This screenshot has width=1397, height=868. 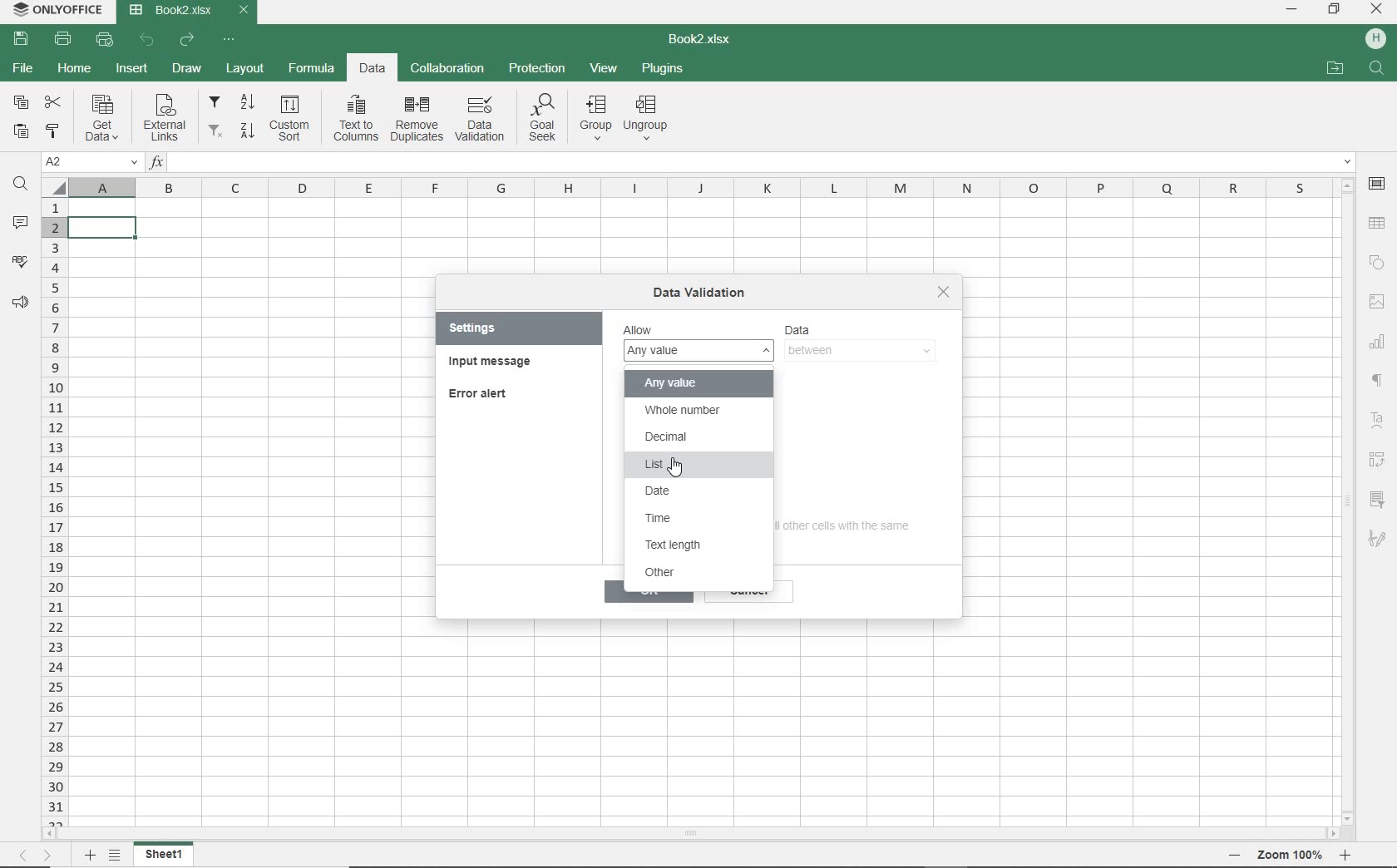 I want to click on SCROLLBAR, so click(x=1348, y=496).